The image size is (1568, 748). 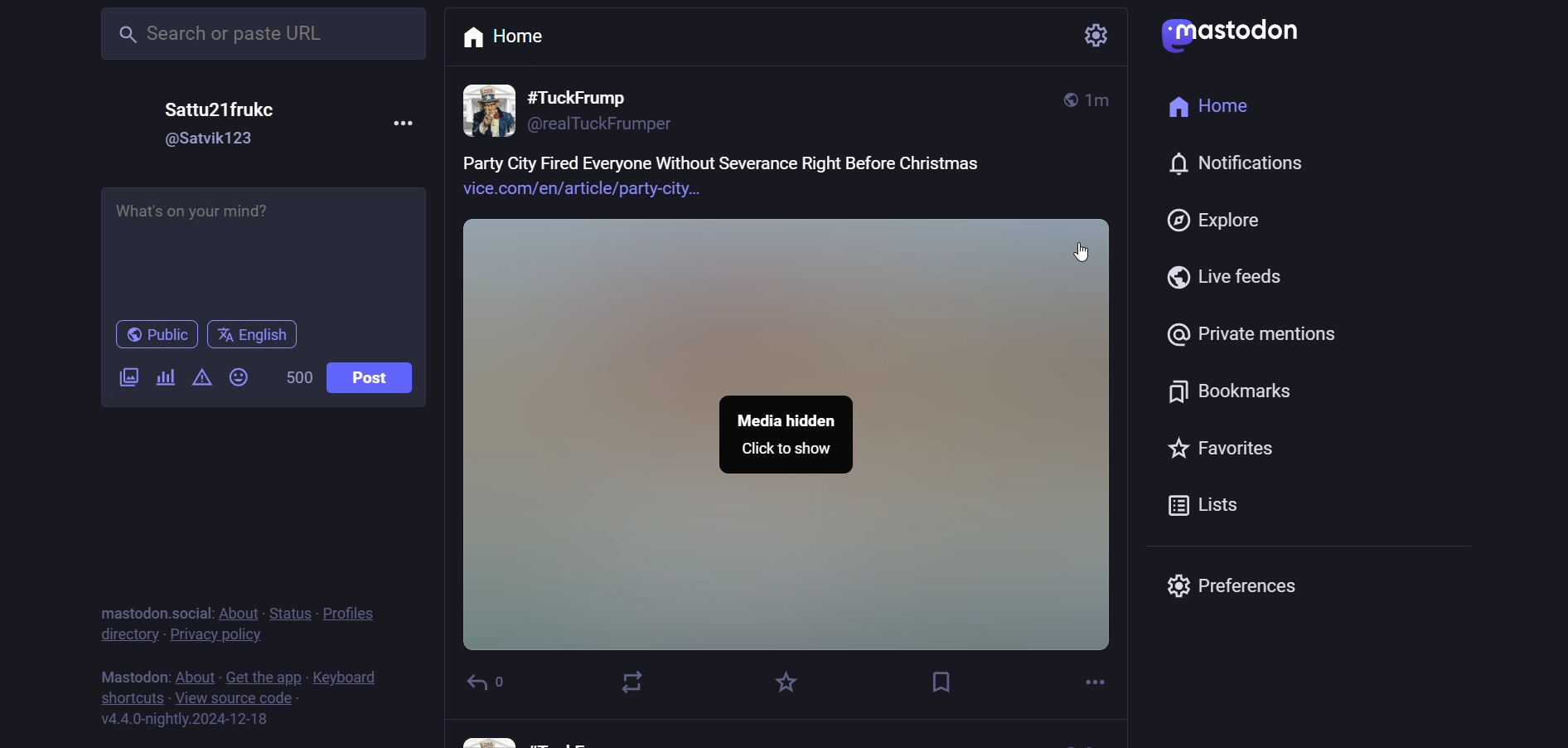 I want to click on @username, so click(x=214, y=143).